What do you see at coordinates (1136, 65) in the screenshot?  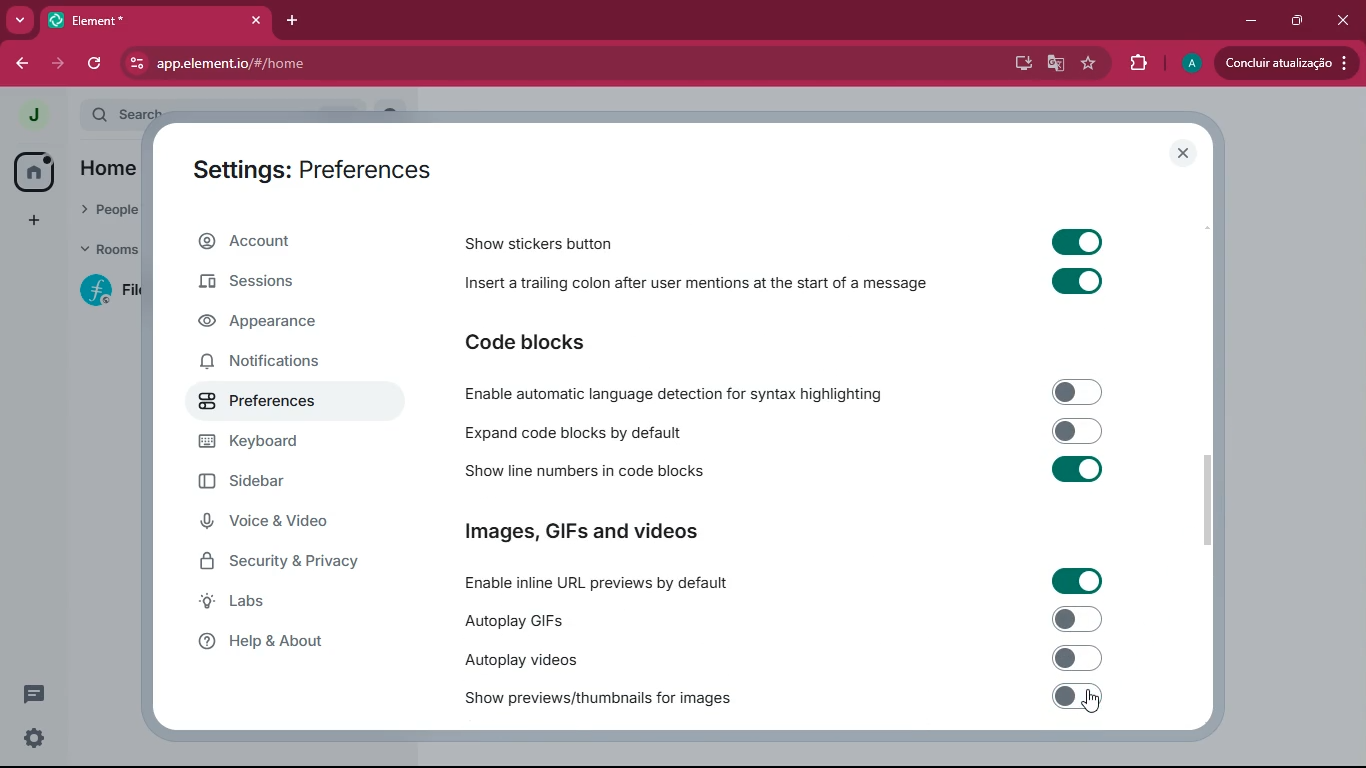 I see `extensions` at bounding box center [1136, 65].